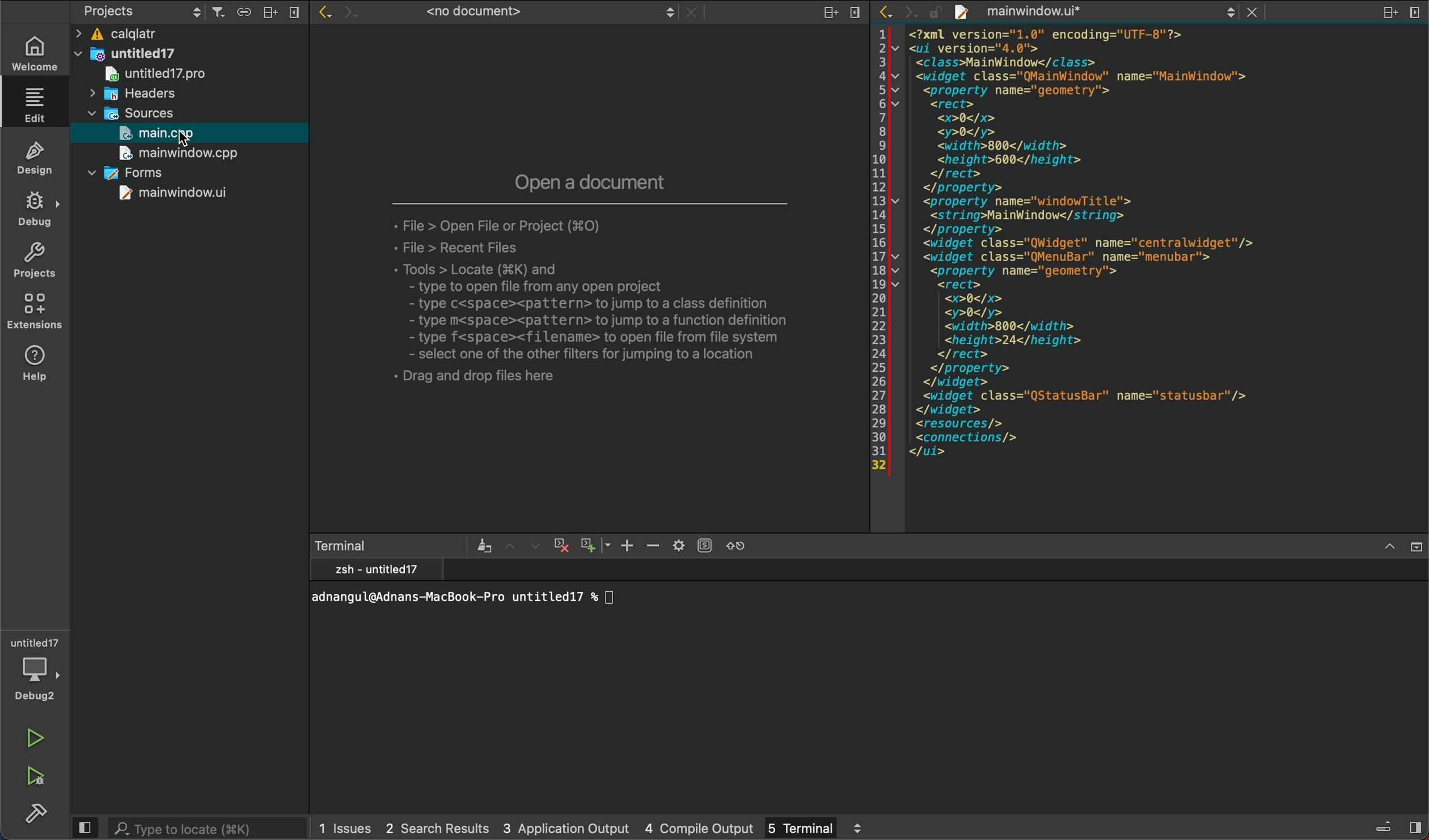 Image resolution: width=1429 pixels, height=840 pixels. What do you see at coordinates (294, 12) in the screenshot?
I see `close` at bounding box center [294, 12].